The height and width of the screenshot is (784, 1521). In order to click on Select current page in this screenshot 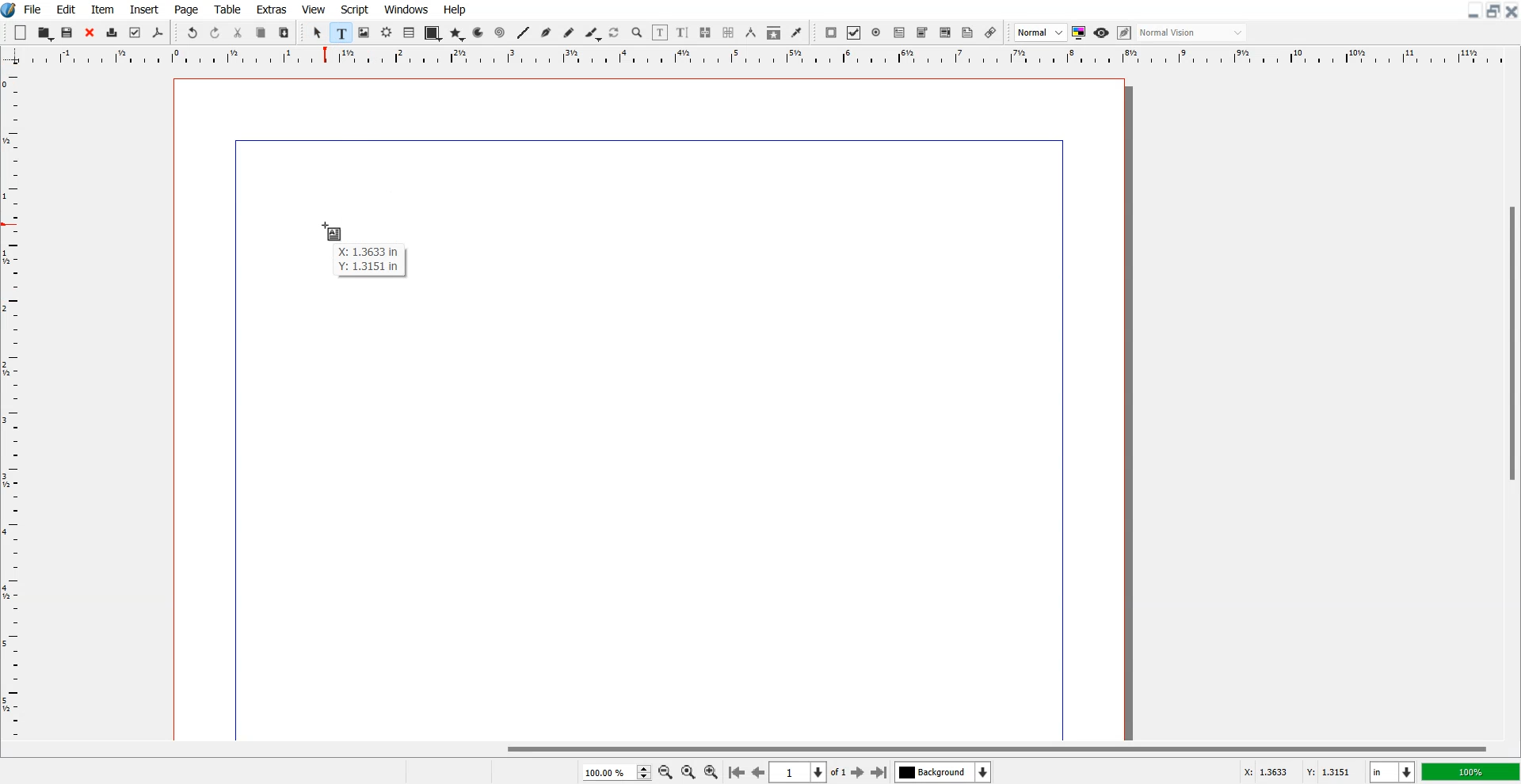, I will do `click(808, 772)`.